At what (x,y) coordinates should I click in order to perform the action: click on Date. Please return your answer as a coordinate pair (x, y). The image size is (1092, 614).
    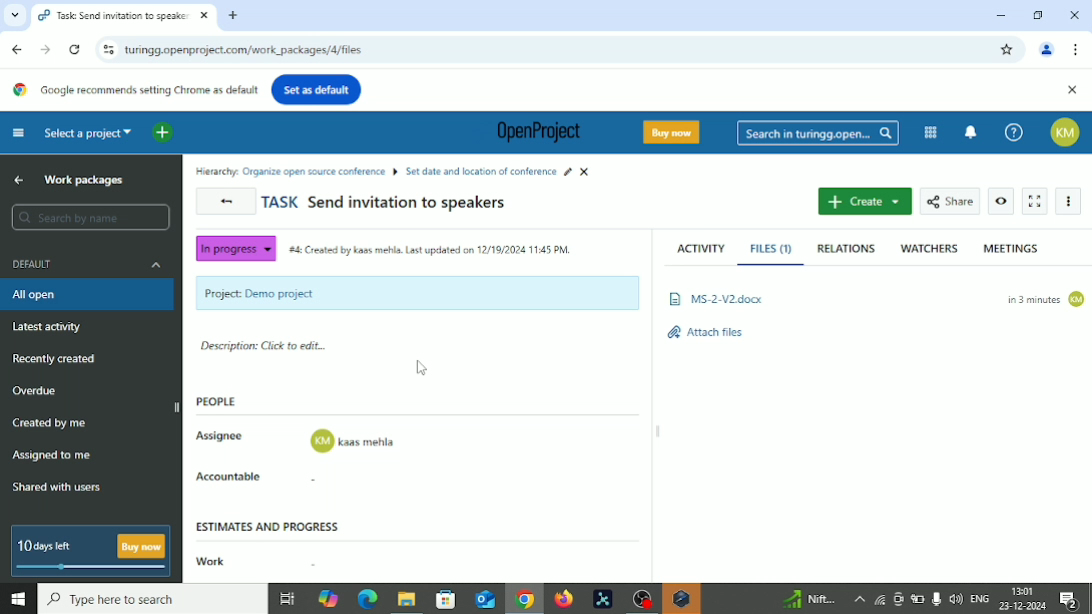
    Looking at the image, I should click on (1024, 606).